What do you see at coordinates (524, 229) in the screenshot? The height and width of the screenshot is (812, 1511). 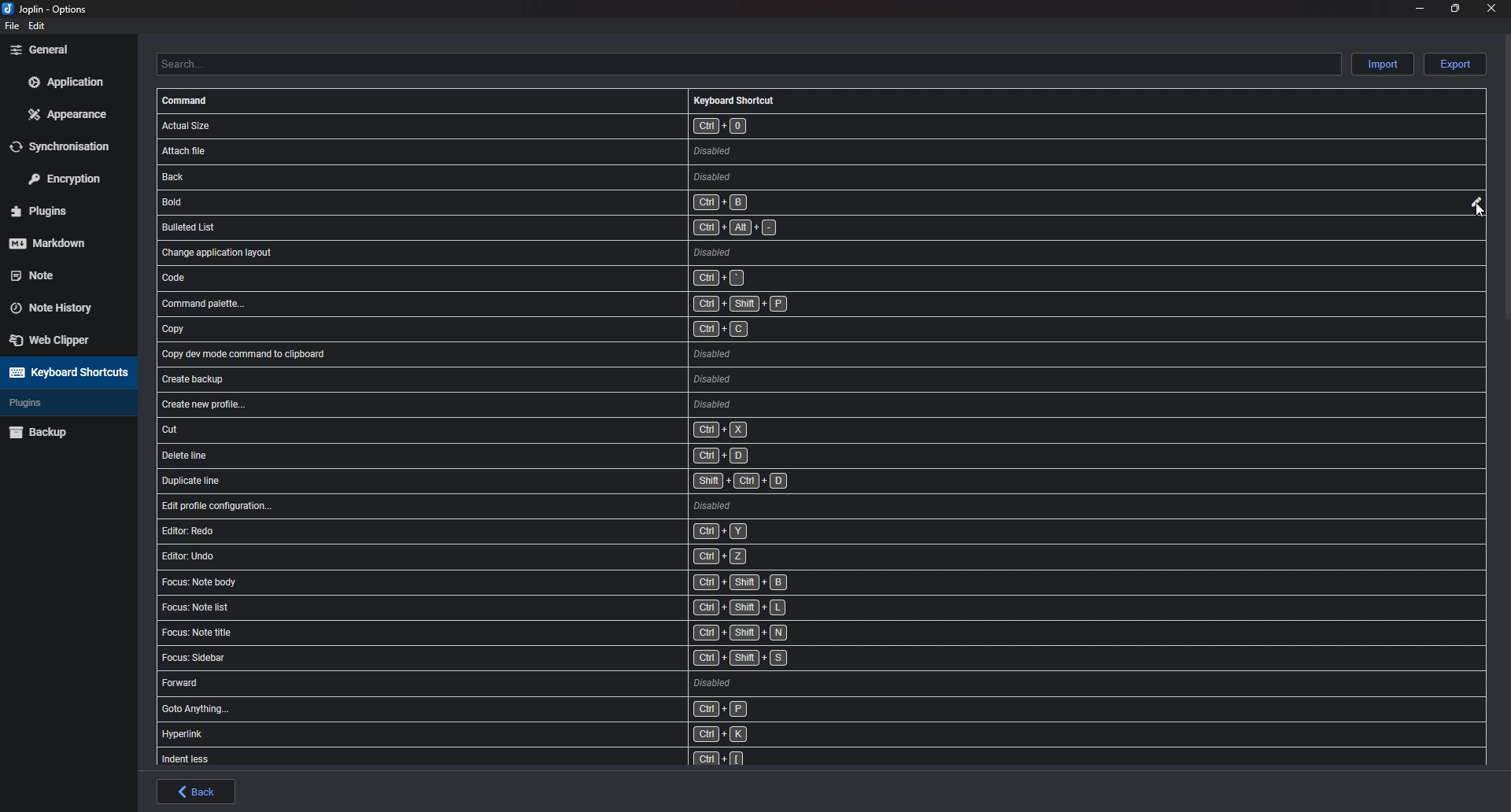 I see `shortcut` at bounding box center [524, 229].